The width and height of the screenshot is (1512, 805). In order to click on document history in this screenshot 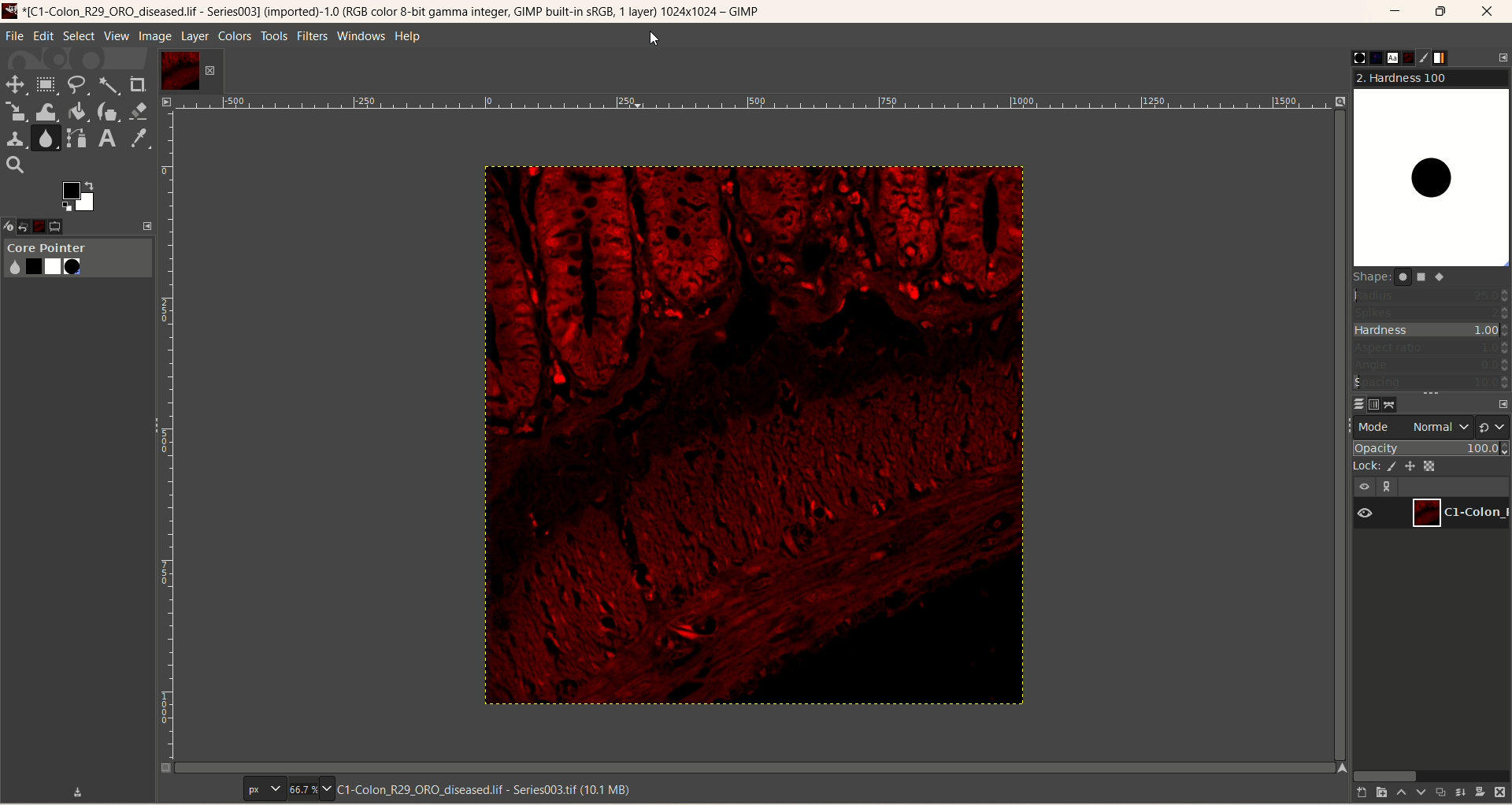, I will do `click(1407, 57)`.